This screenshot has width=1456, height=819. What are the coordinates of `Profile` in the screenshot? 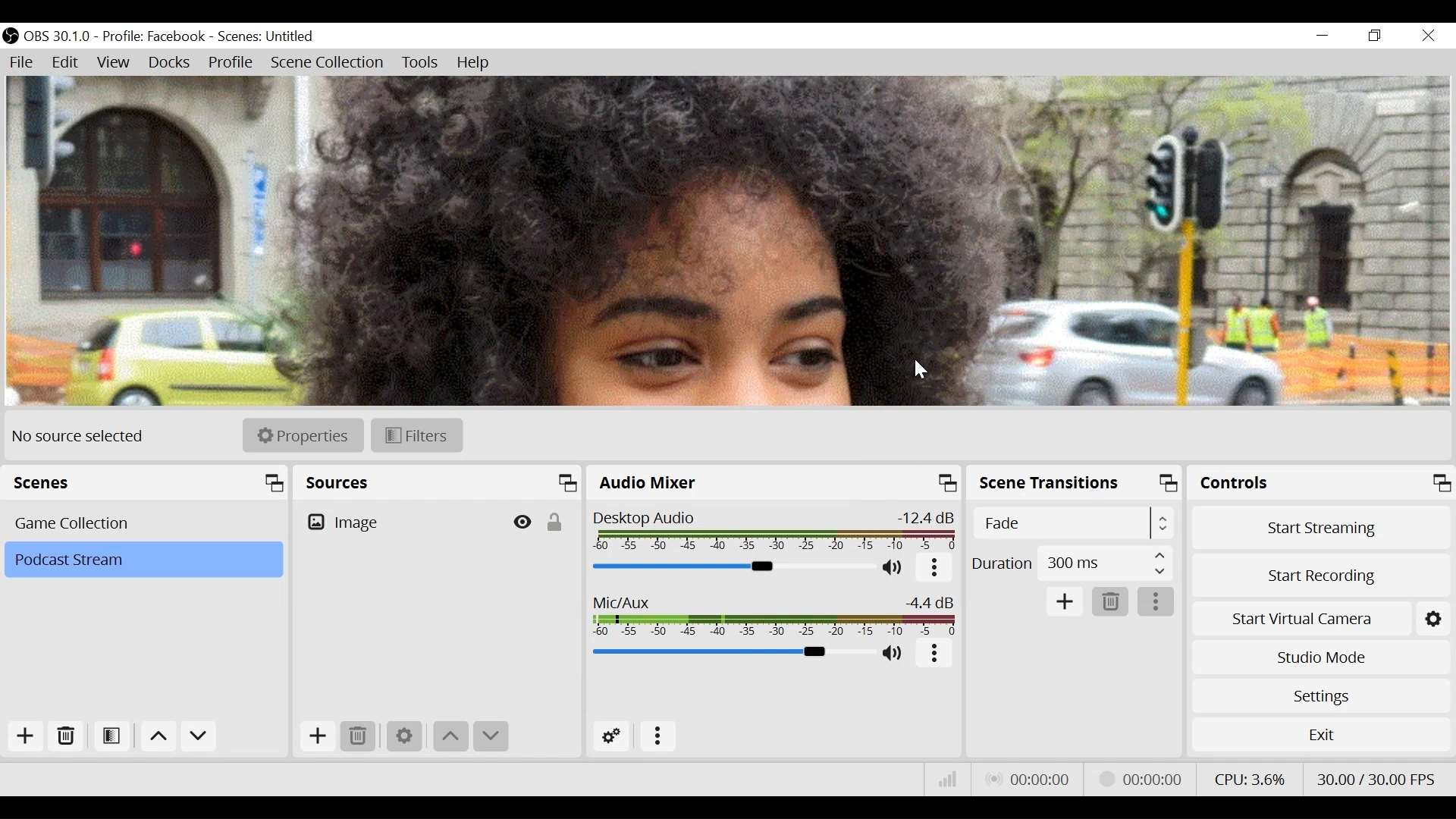 It's located at (233, 64).